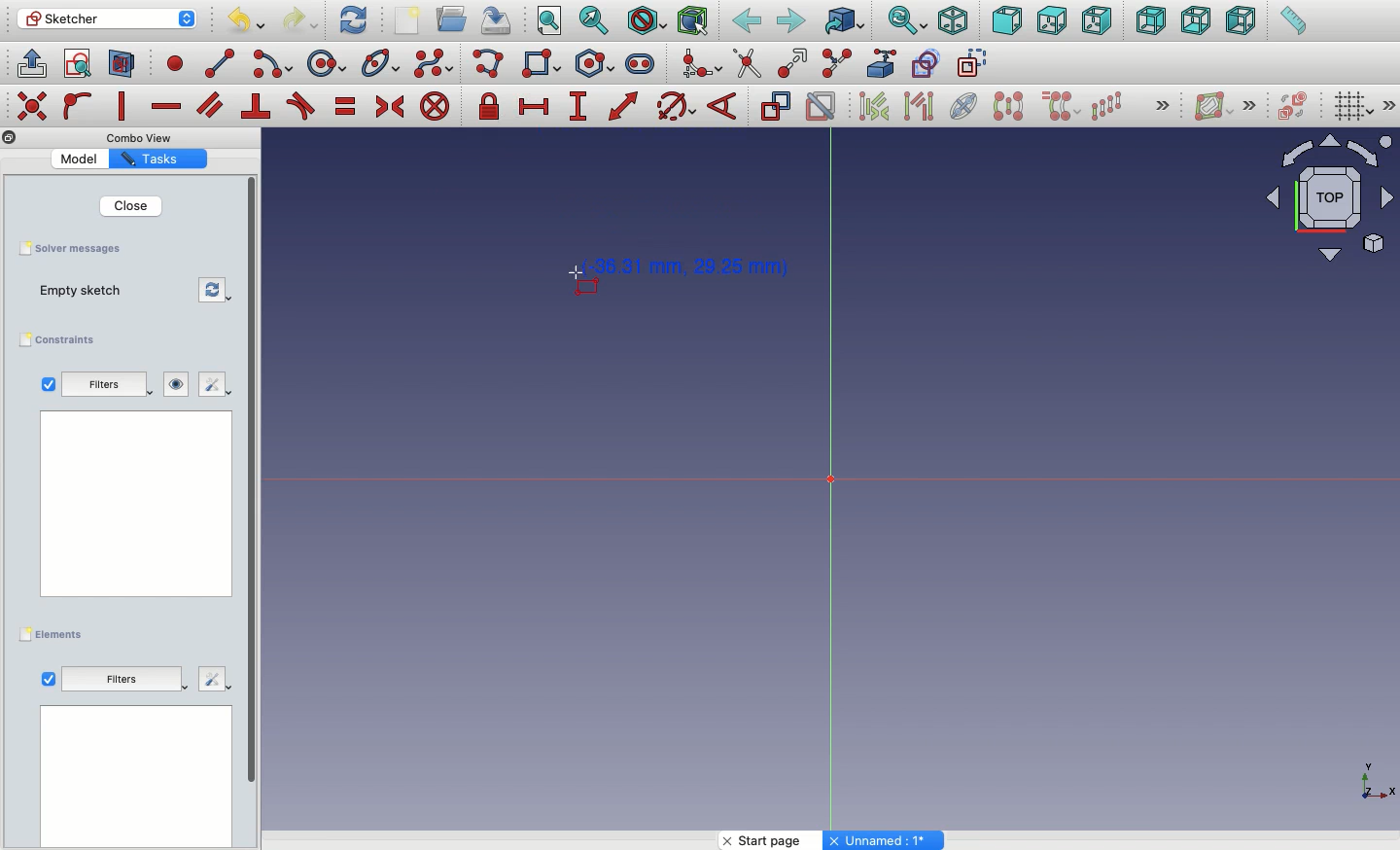  I want to click on Combo View, so click(140, 137).